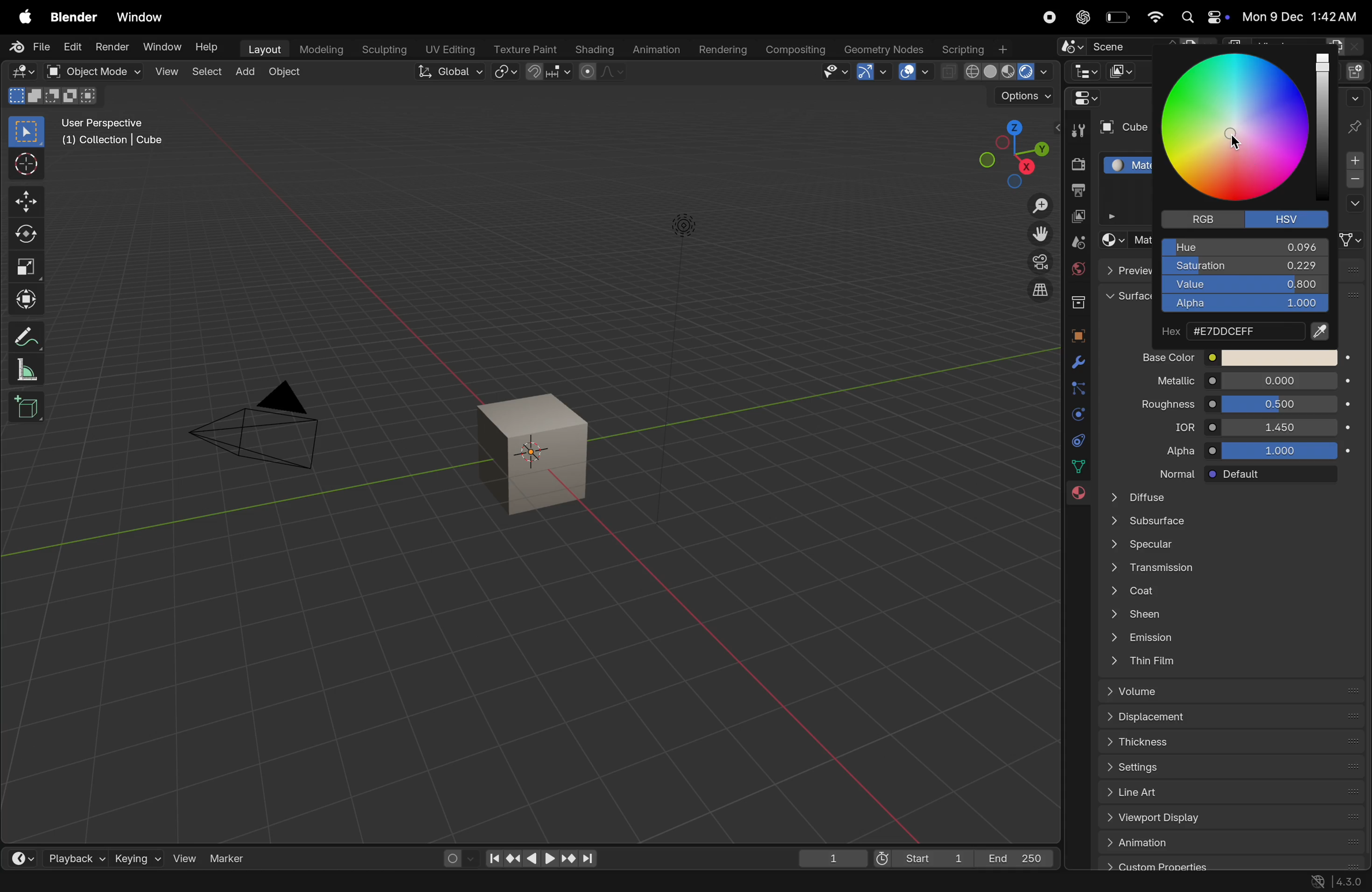 The image size is (1372, 892). What do you see at coordinates (1084, 70) in the screenshot?
I see `editor type` at bounding box center [1084, 70].